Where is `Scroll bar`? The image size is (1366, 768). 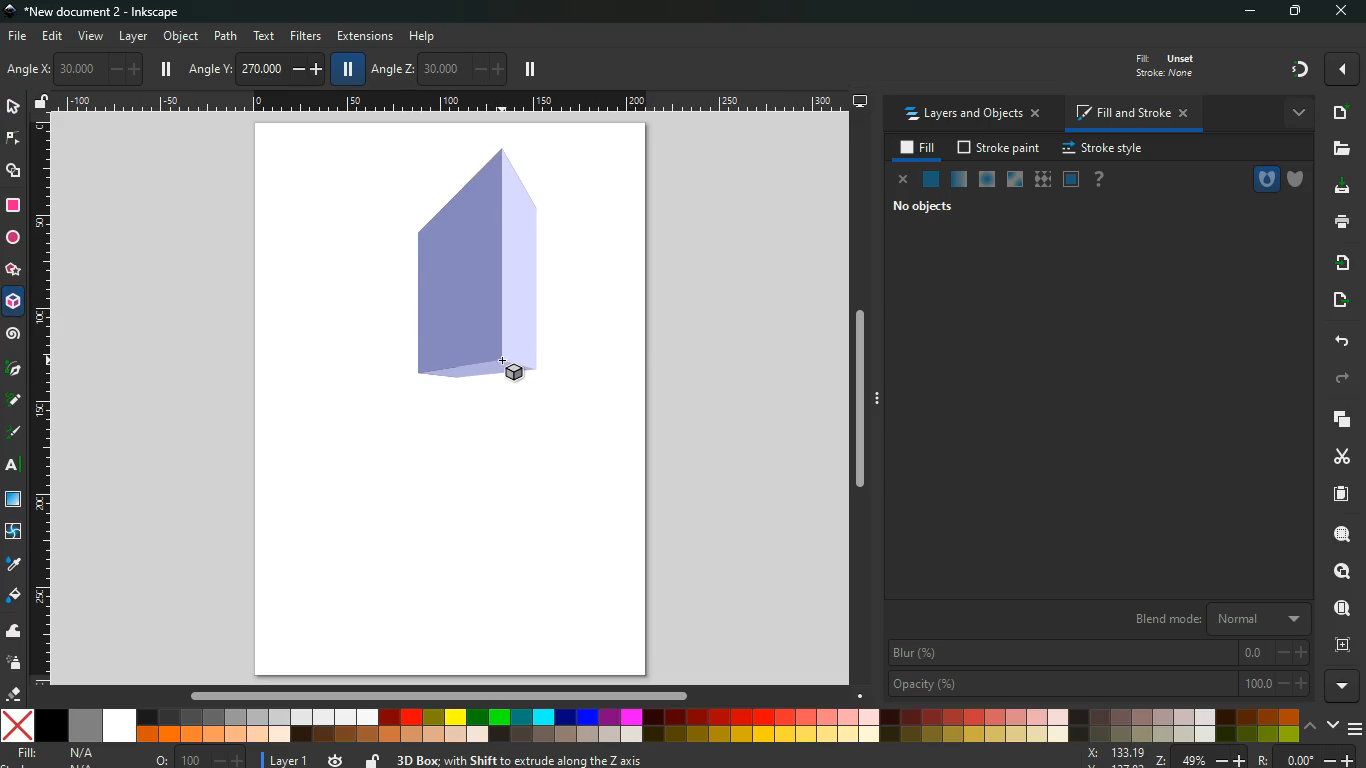
Scroll bar is located at coordinates (436, 696).